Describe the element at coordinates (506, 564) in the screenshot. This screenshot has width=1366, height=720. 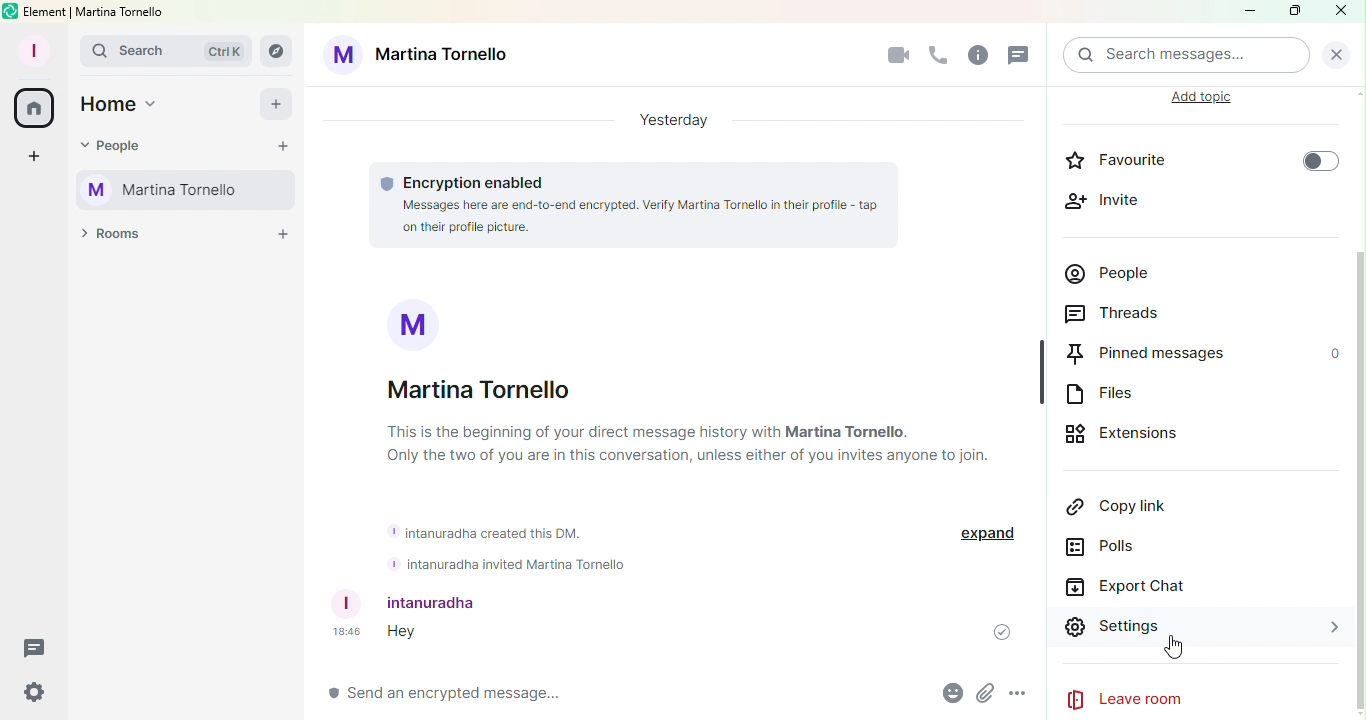
I see ` intanuradha invited martina tornello` at that location.